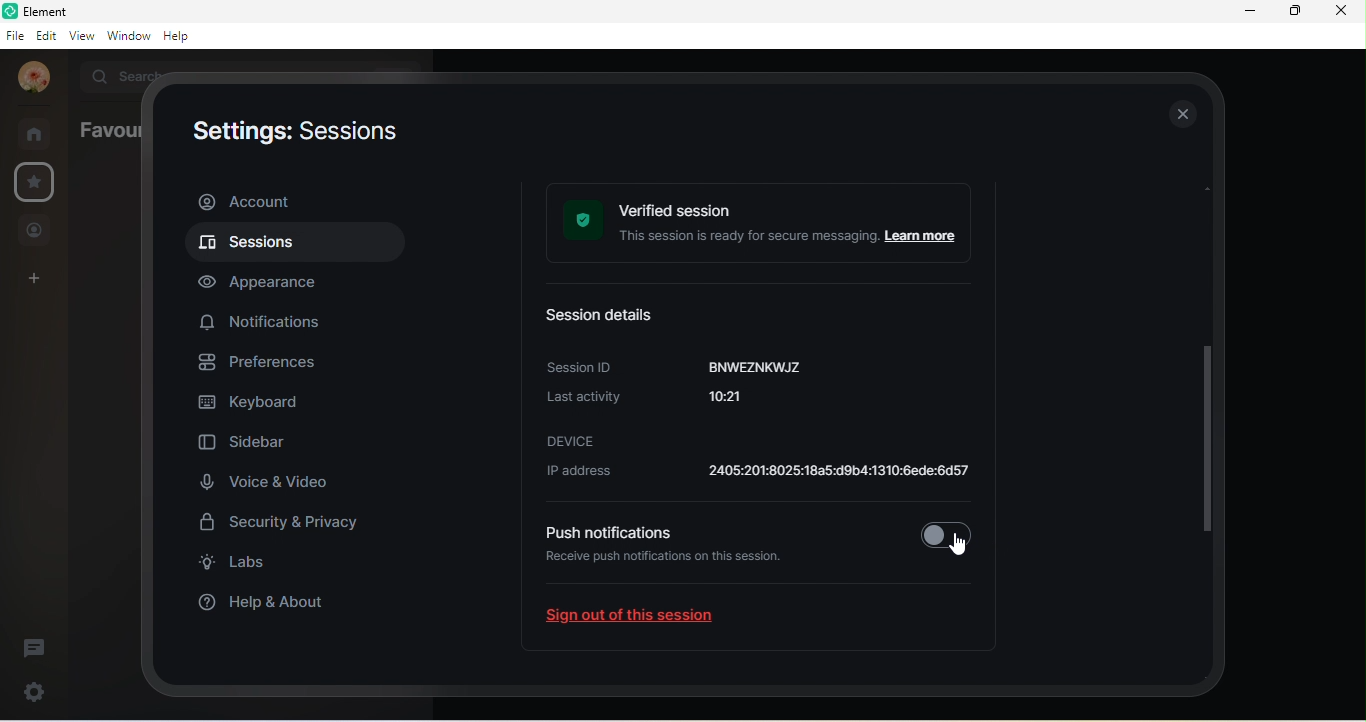 Image resolution: width=1366 pixels, height=722 pixels. Describe the element at coordinates (14, 37) in the screenshot. I see `file` at that location.